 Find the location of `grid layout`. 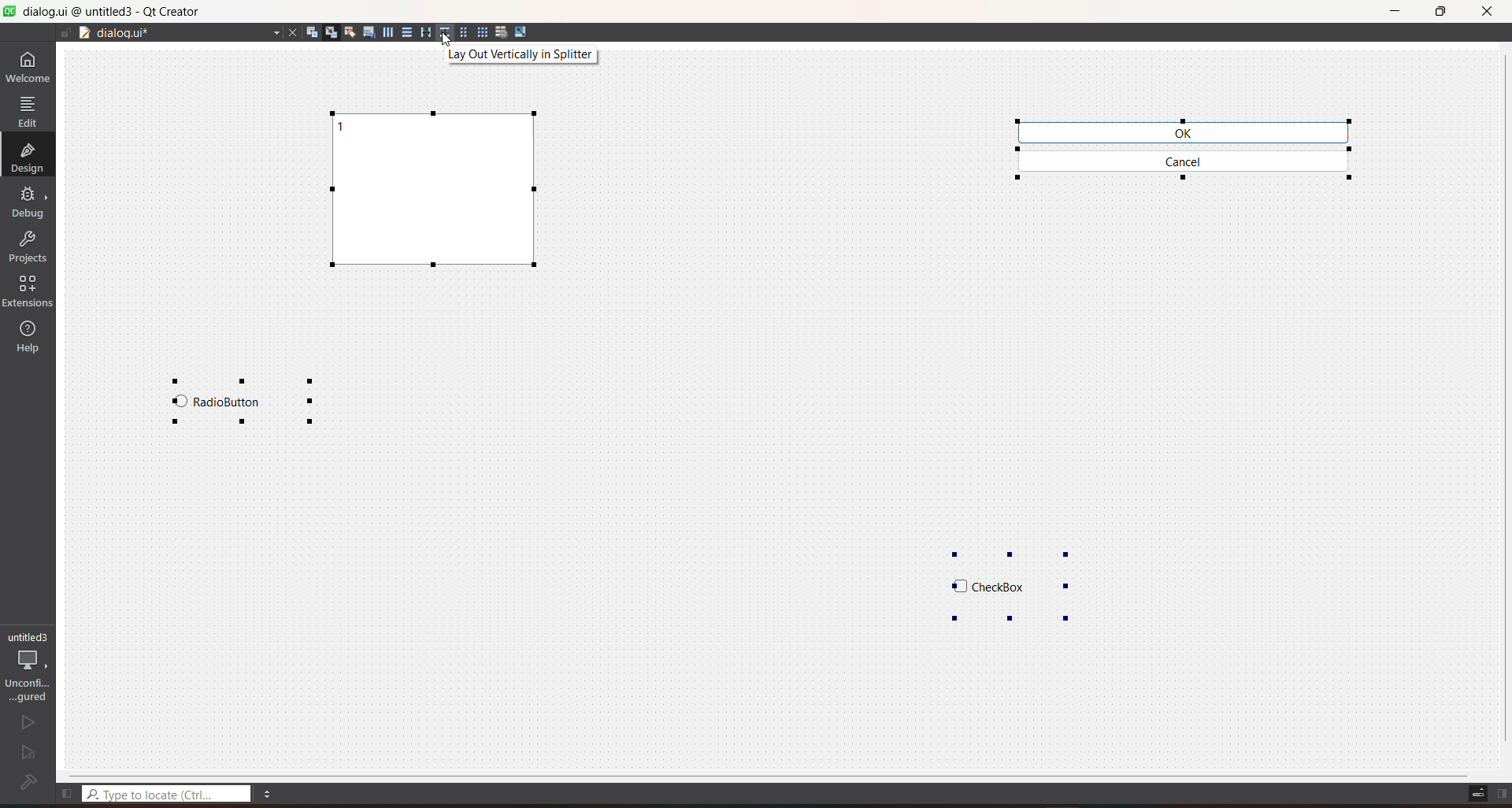

grid layout is located at coordinates (482, 32).